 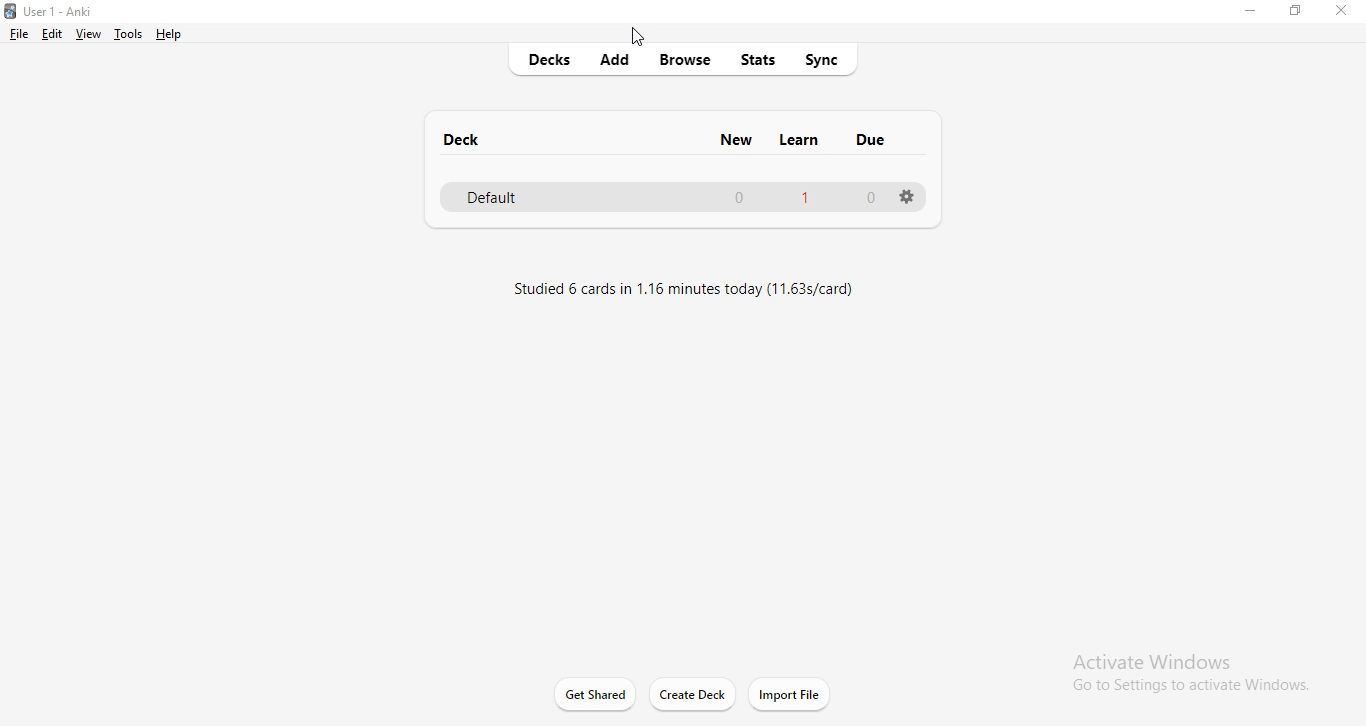 I want to click on edit, so click(x=51, y=34).